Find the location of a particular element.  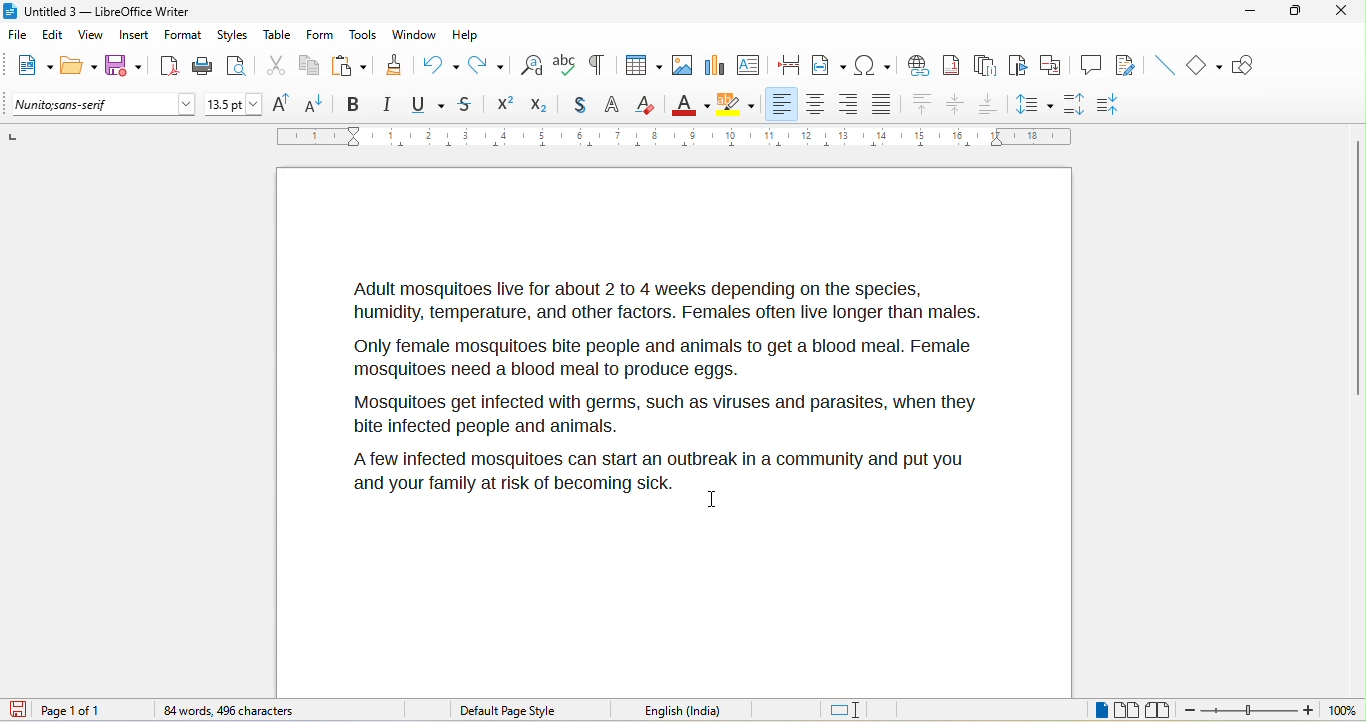

form is located at coordinates (319, 34).